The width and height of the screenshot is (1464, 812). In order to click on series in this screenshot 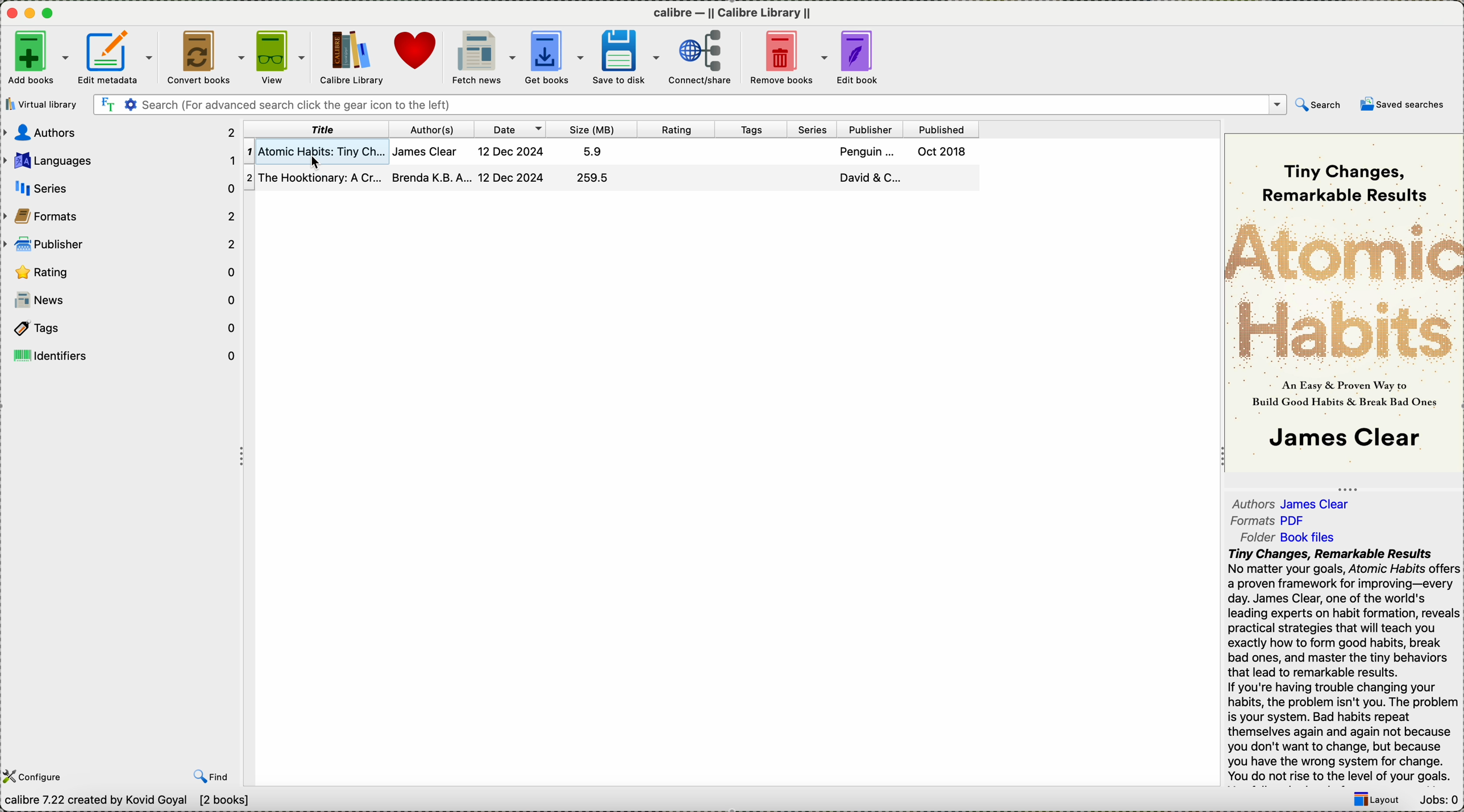, I will do `click(810, 129)`.